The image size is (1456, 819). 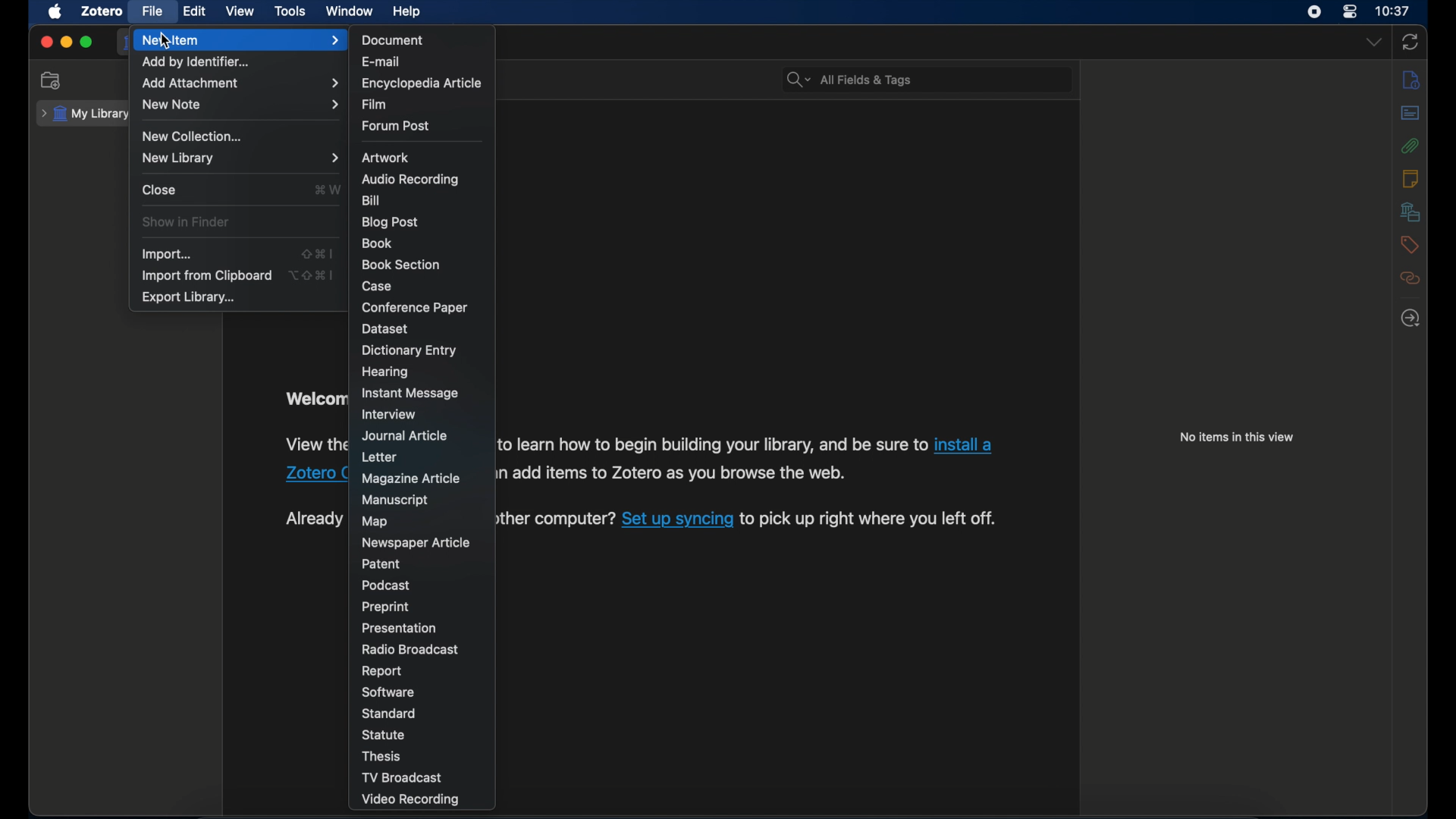 What do you see at coordinates (1410, 114) in the screenshot?
I see `abstract` at bounding box center [1410, 114].